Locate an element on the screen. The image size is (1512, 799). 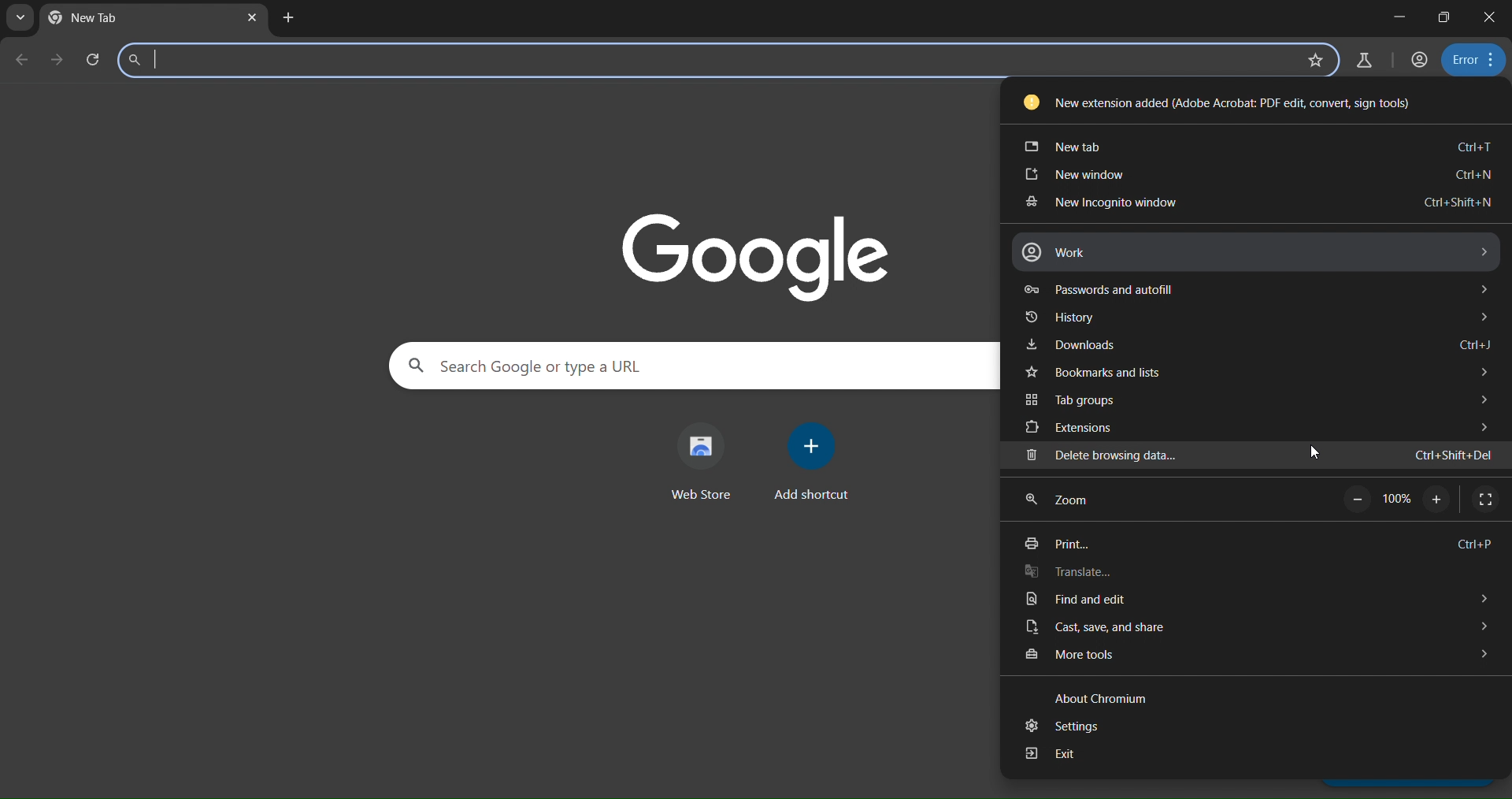
work is located at coordinates (1257, 254).